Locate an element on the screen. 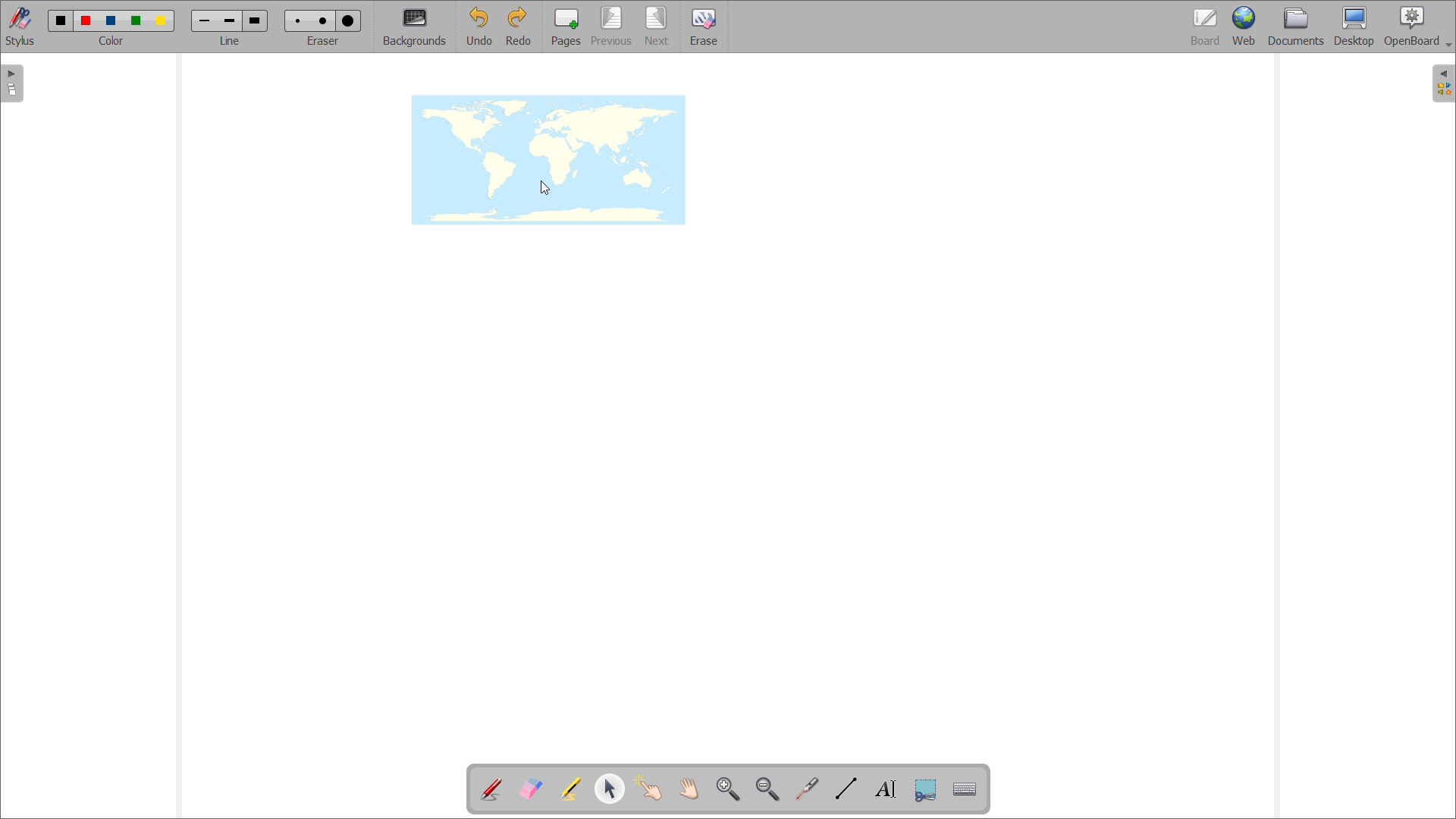 The width and height of the screenshot is (1456, 819). cursor is located at coordinates (545, 188).